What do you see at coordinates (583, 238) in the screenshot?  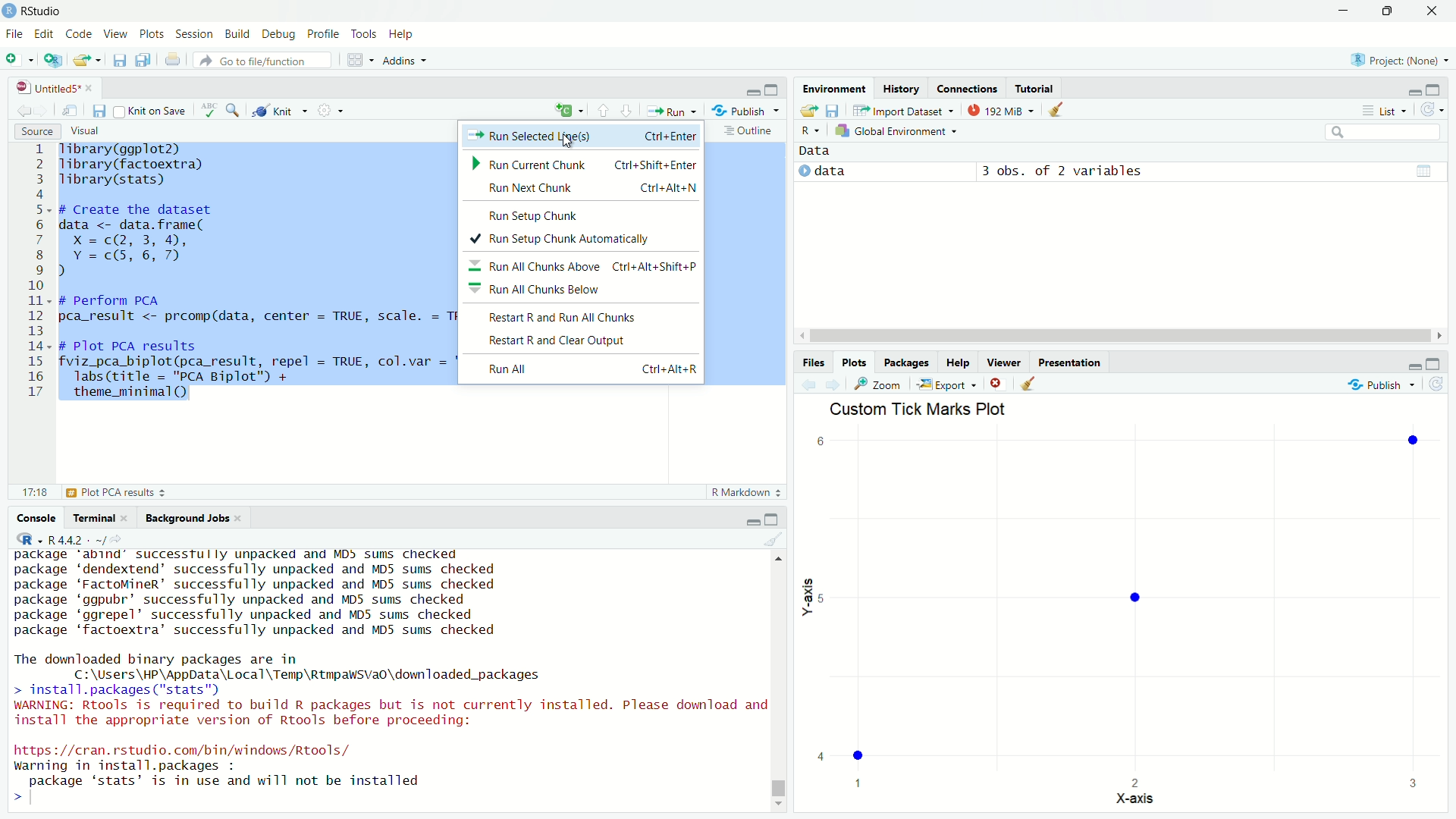 I see `run setup chunk automatically` at bounding box center [583, 238].